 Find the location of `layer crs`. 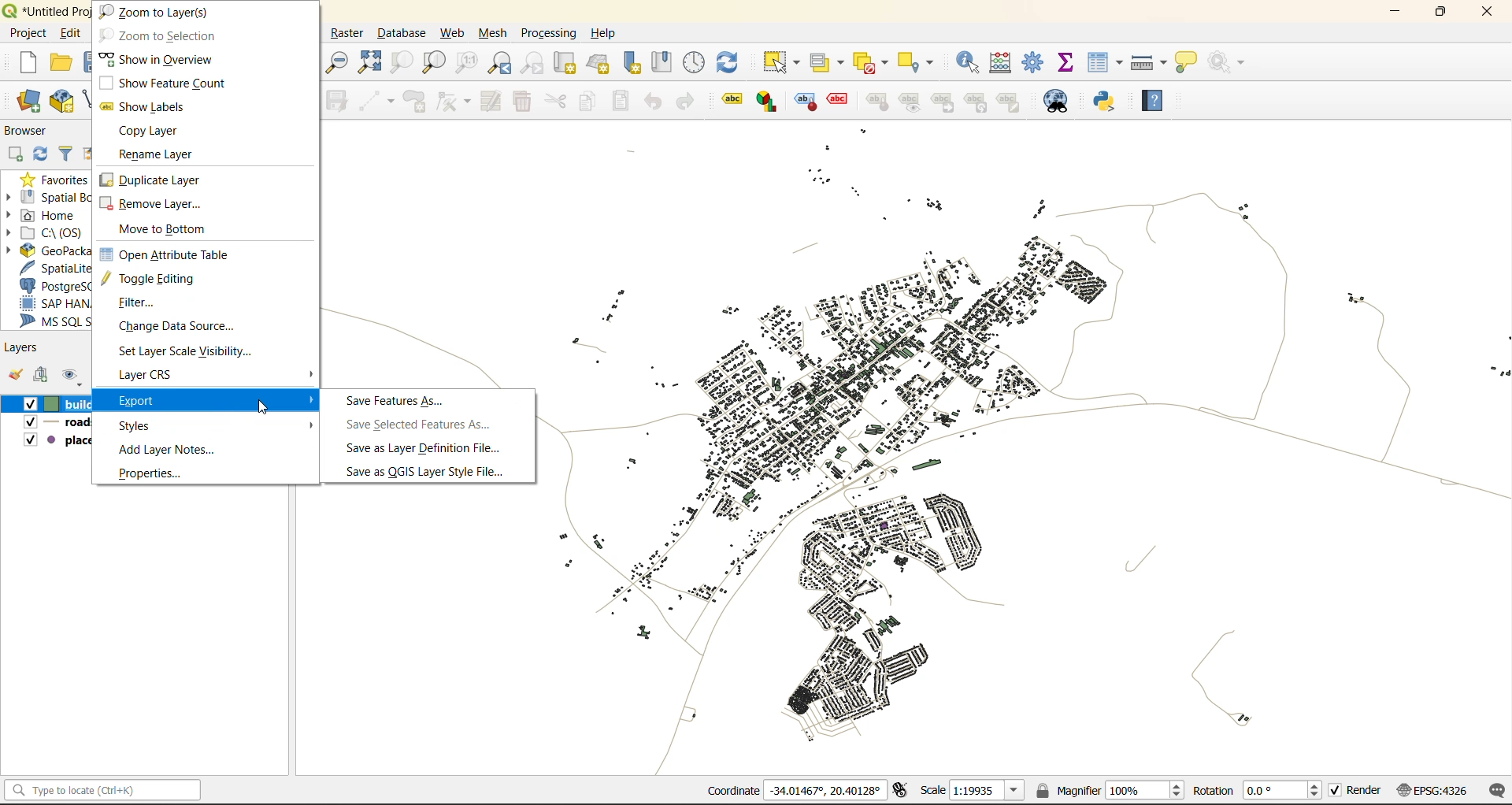

layer crs is located at coordinates (157, 375).